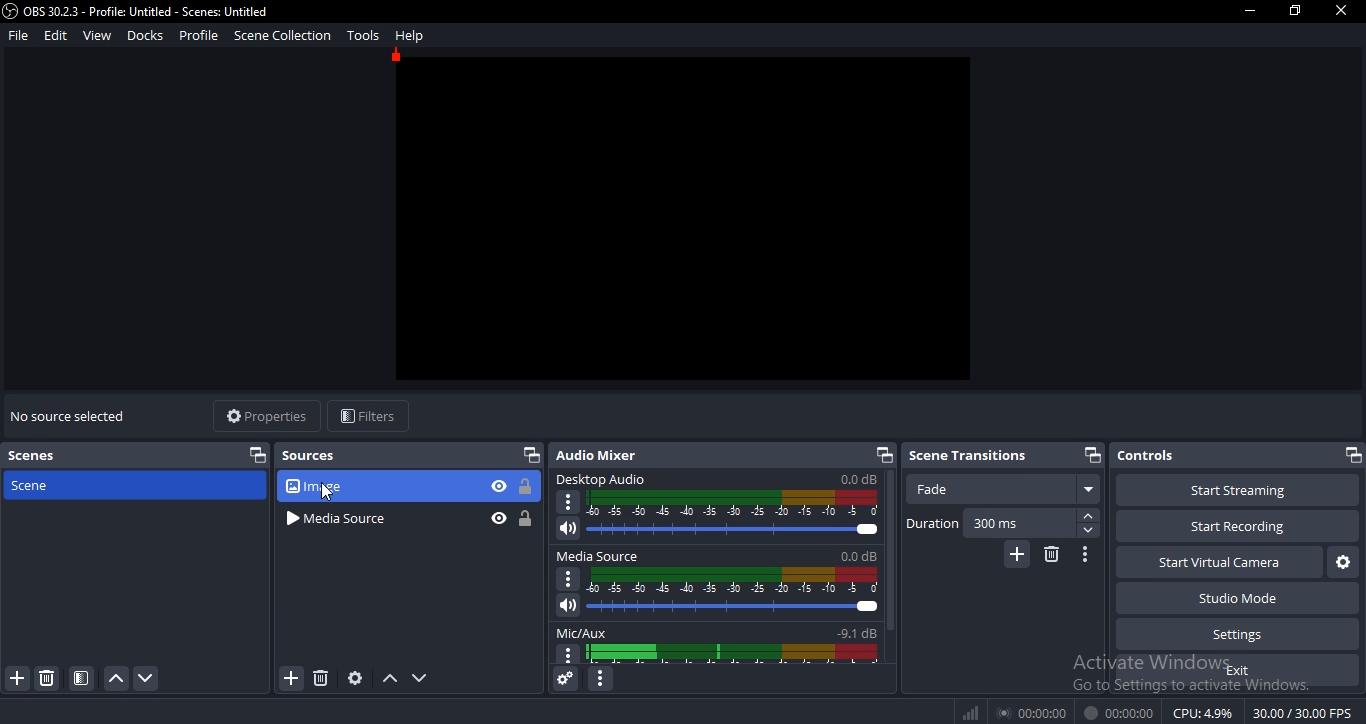 The width and height of the screenshot is (1366, 724). I want to click on restore, so click(254, 456).